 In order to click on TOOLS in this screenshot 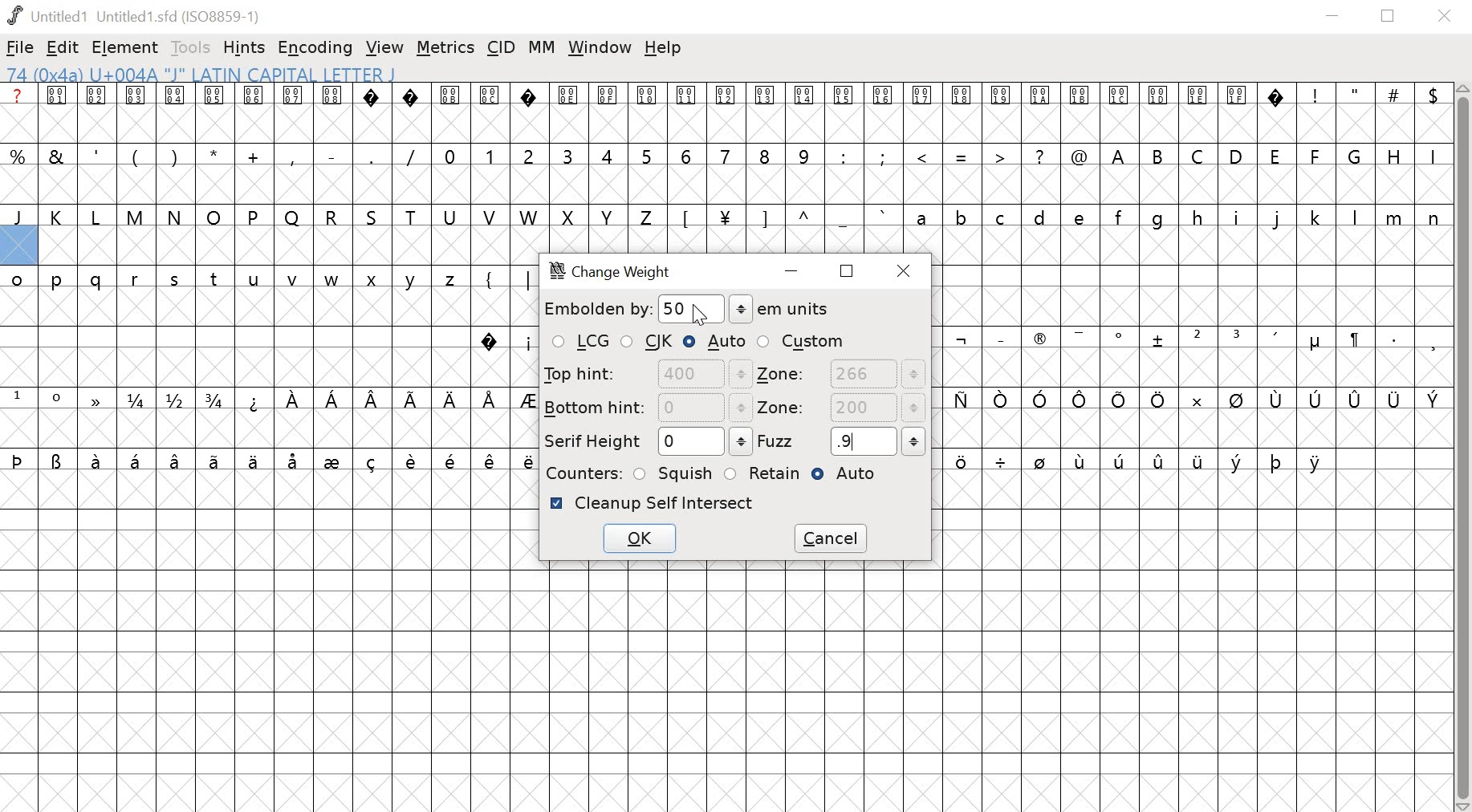, I will do `click(193, 47)`.